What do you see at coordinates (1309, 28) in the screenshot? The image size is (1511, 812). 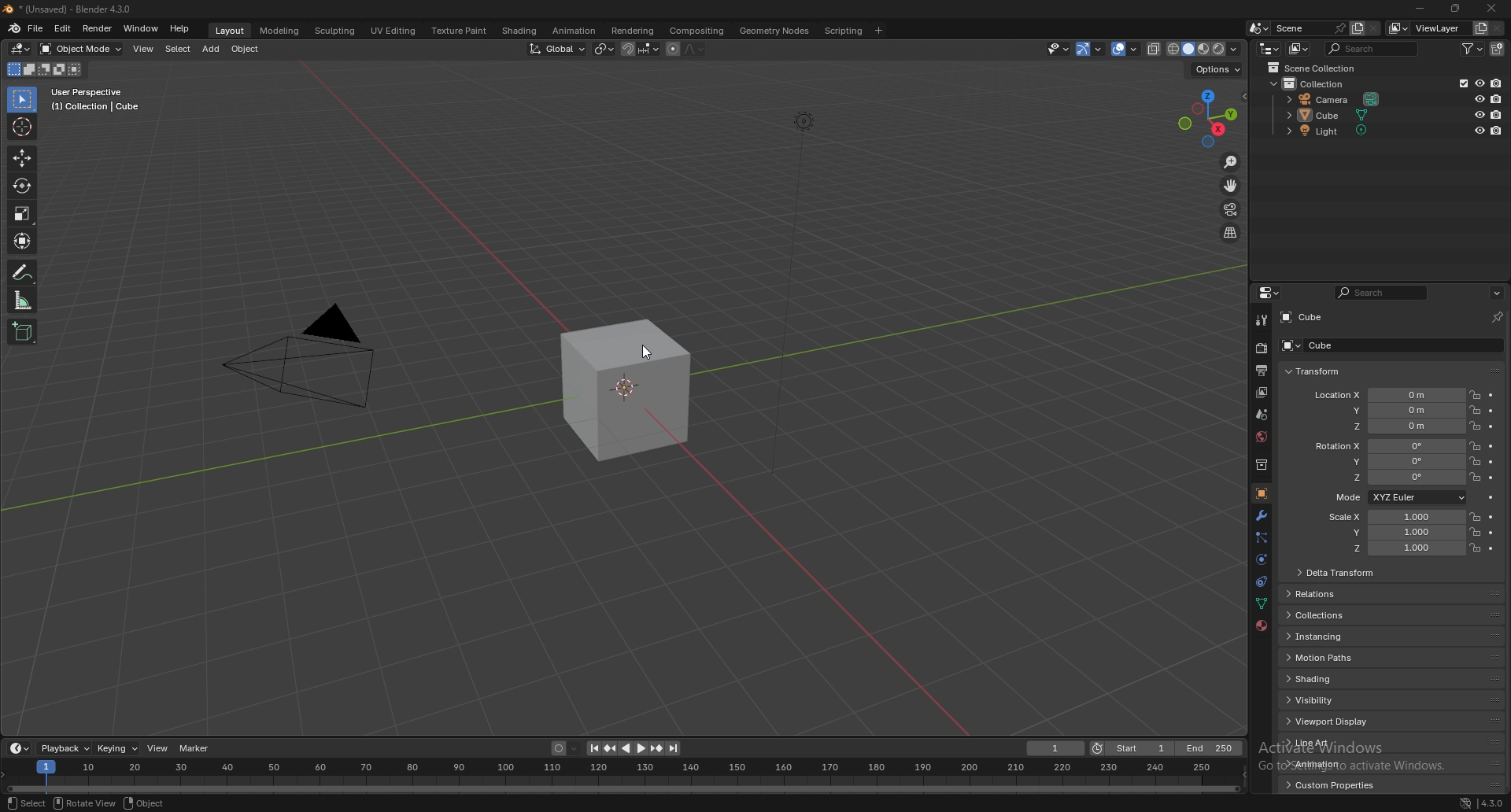 I see `scene` at bounding box center [1309, 28].